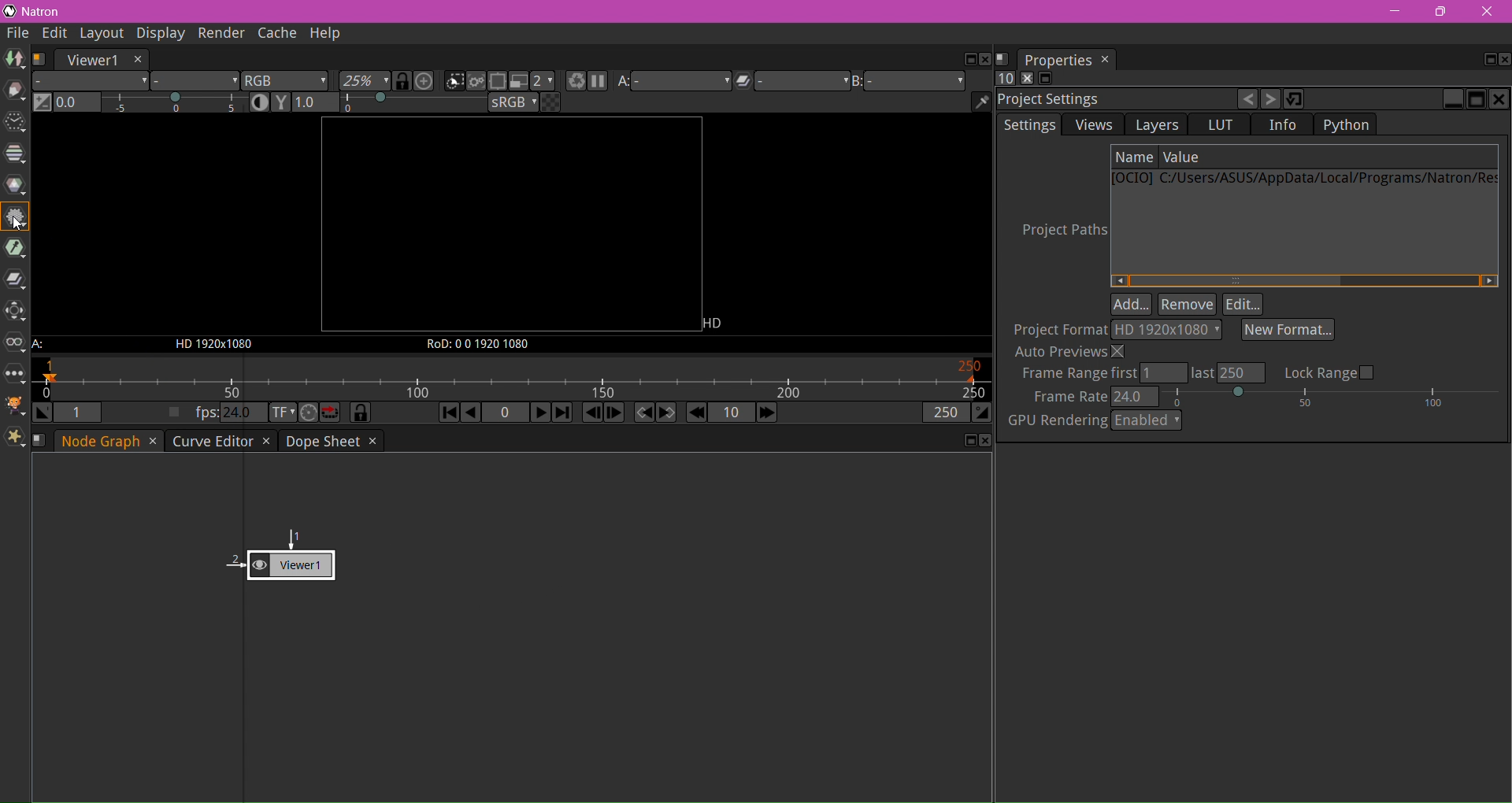 The image size is (1512, 803). Describe the element at coordinates (1303, 180) in the screenshot. I see `Current Project path` at that location.